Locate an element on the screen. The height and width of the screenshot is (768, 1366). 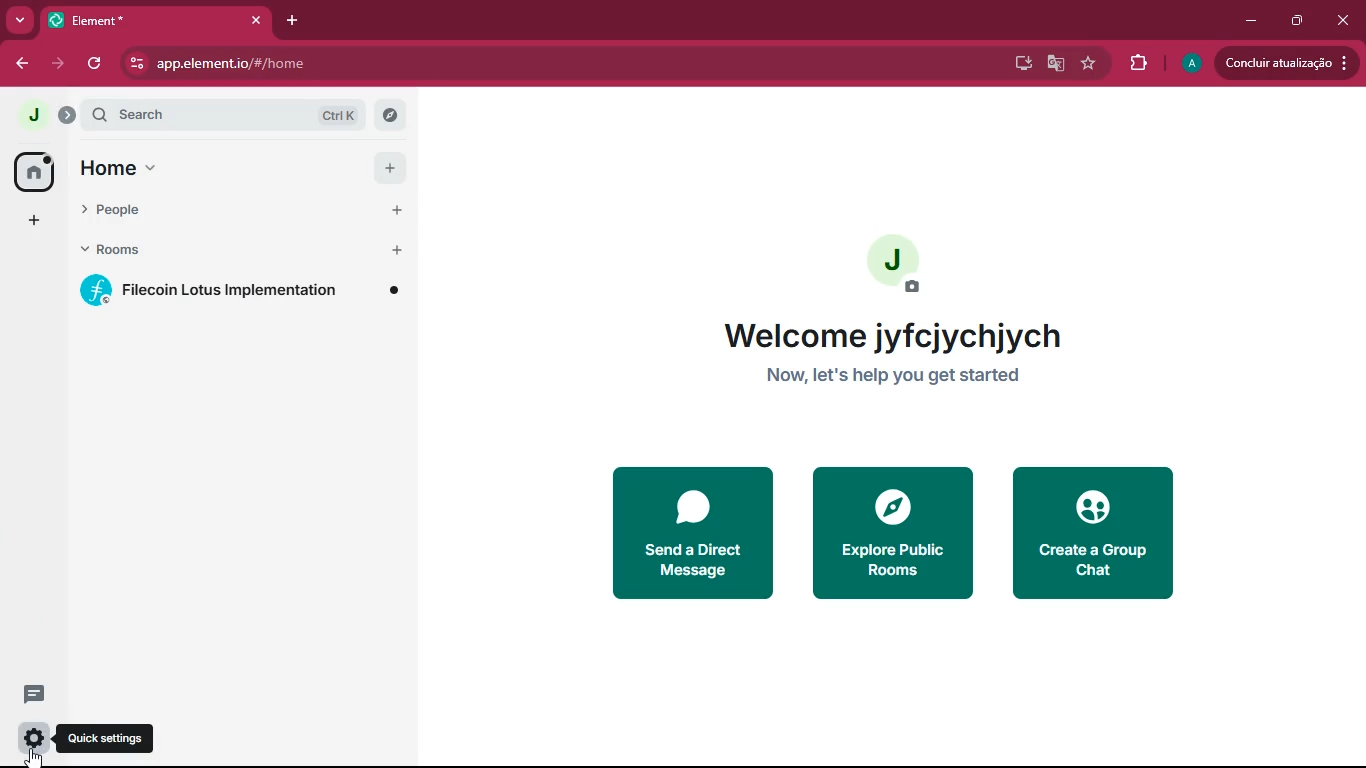
quick settings is located at coordinates (34, 737).